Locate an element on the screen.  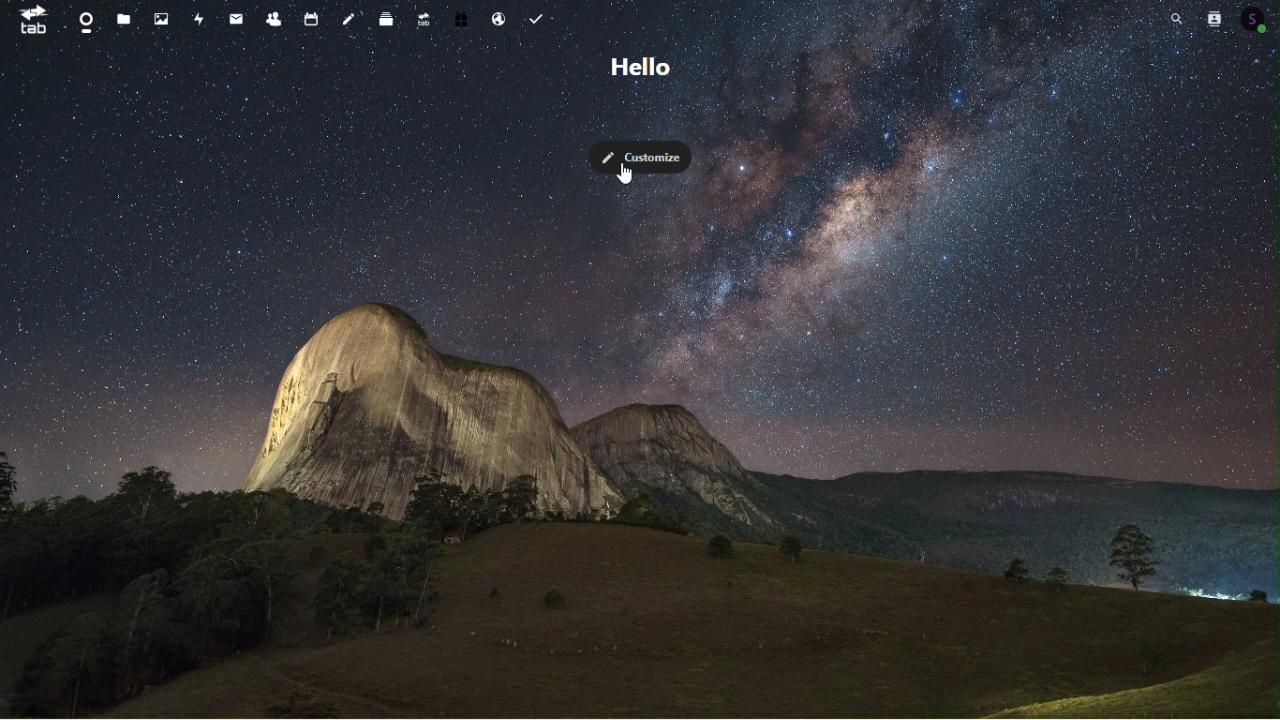
Search is located at coordinates (1171, 20).